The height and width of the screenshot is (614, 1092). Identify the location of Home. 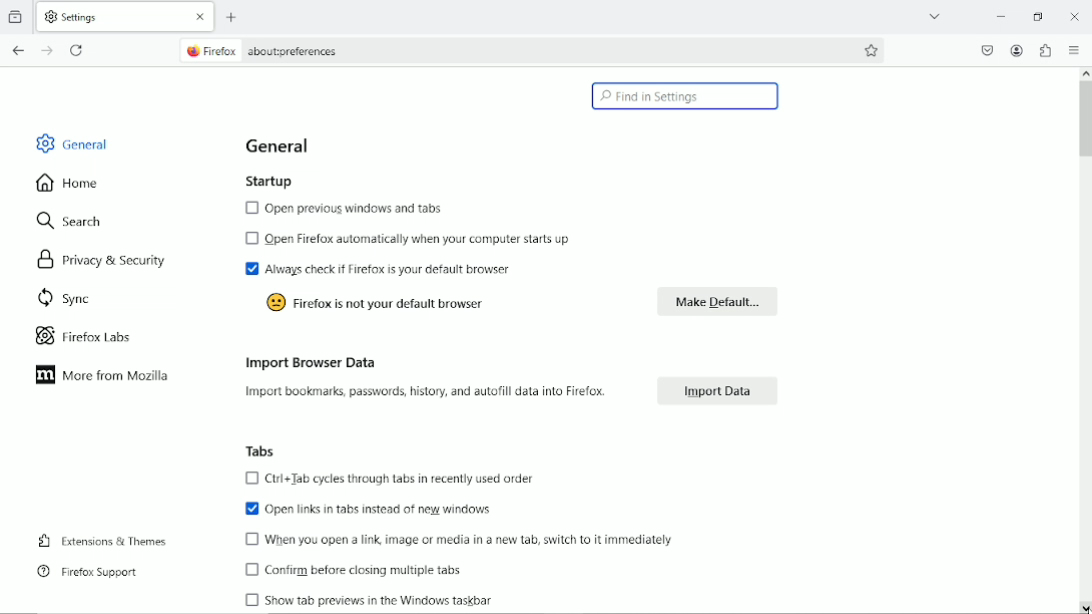
(68, 183).